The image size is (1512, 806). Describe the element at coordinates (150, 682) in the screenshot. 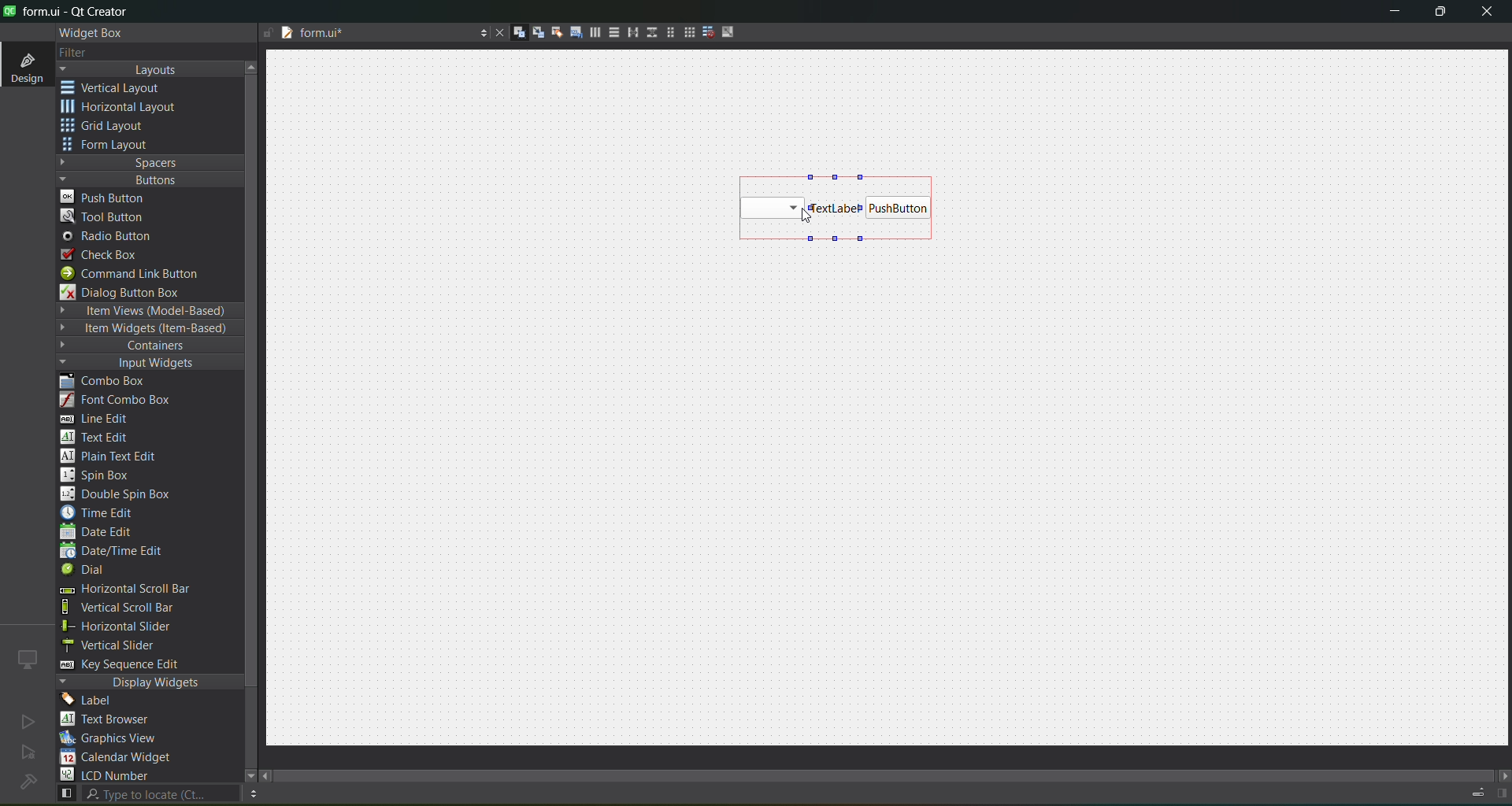

I see `display widgets` at that location.